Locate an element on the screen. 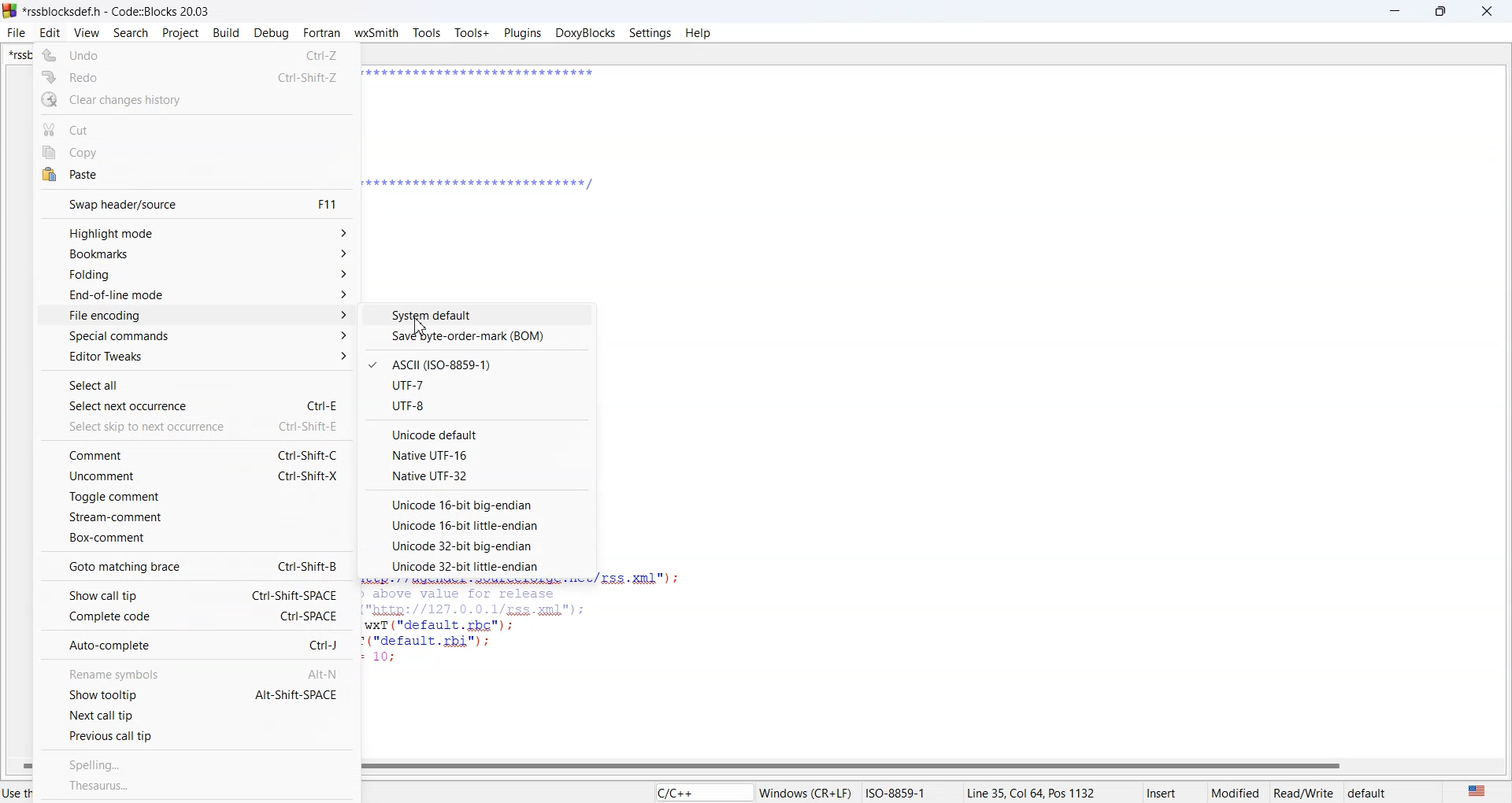  insert is located at coordinates (1174, 791).